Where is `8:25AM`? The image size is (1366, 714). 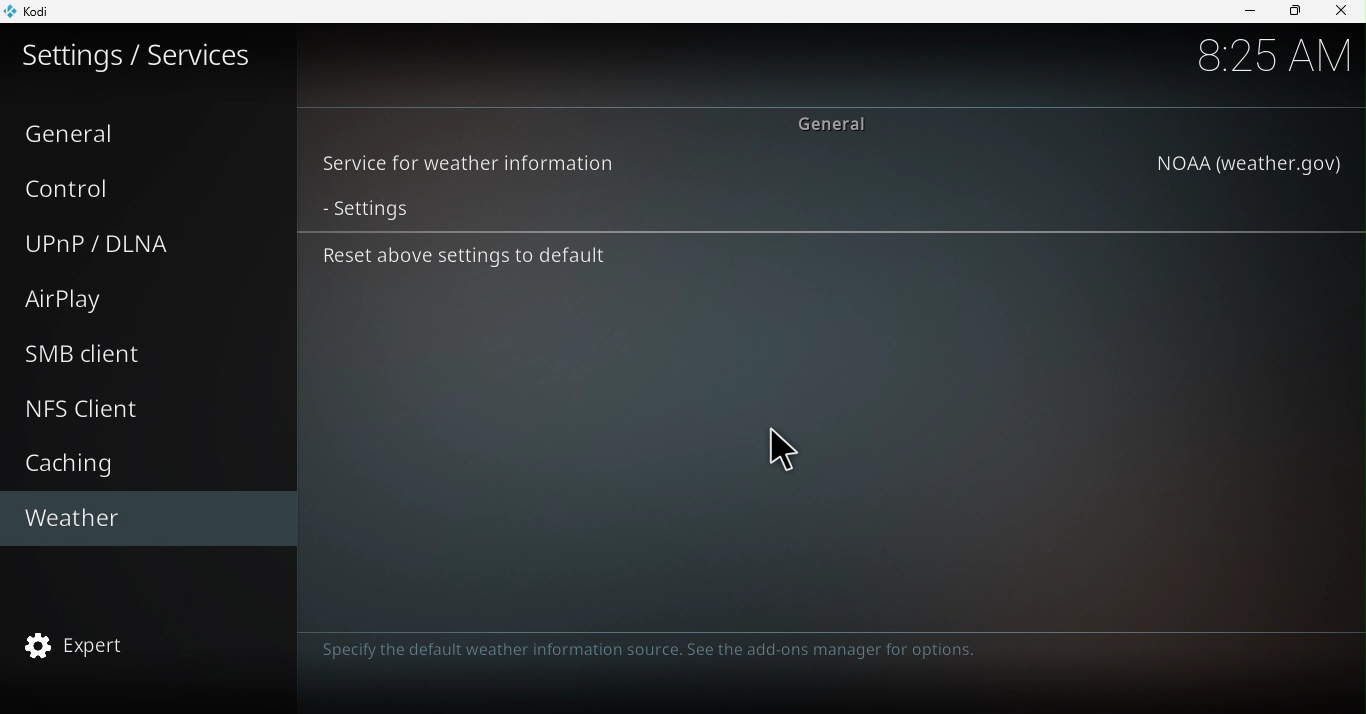 8:25AM is located at coordinates (1273, 55).